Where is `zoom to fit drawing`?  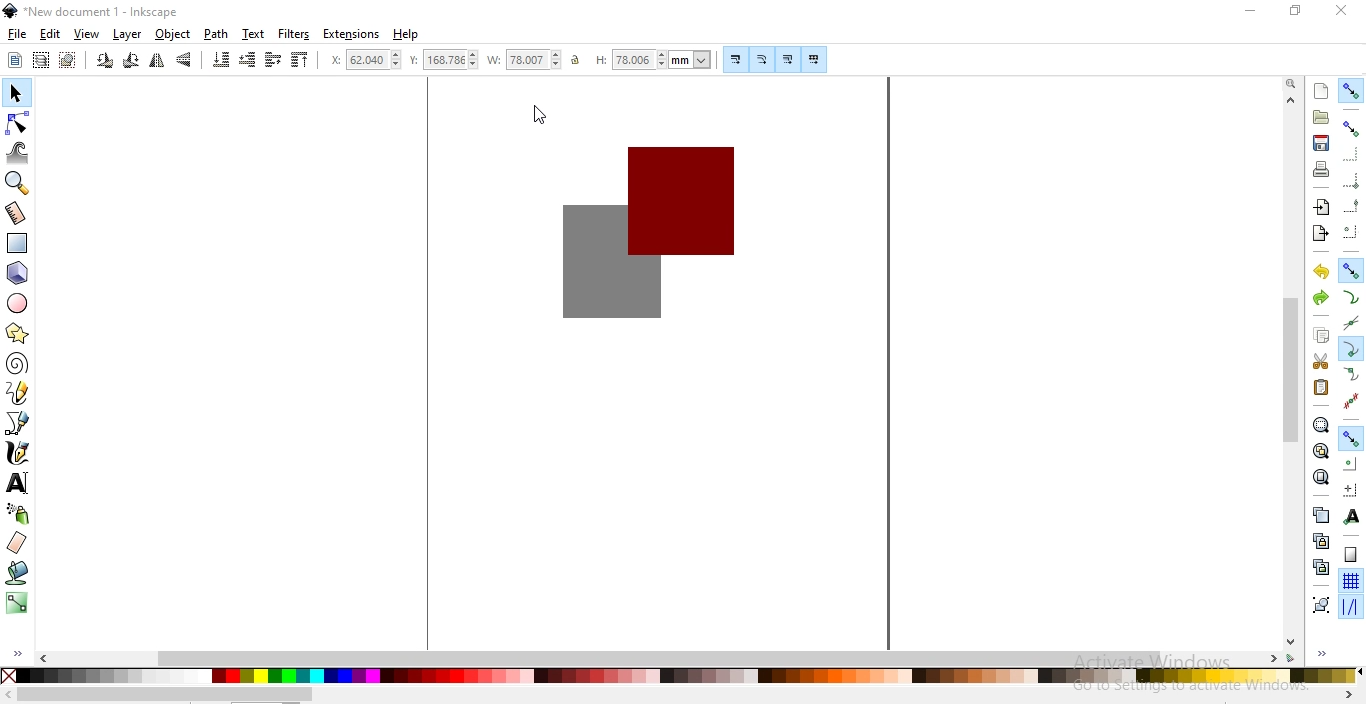 zoom to fit drawing is located at coordinates (1320, 450).